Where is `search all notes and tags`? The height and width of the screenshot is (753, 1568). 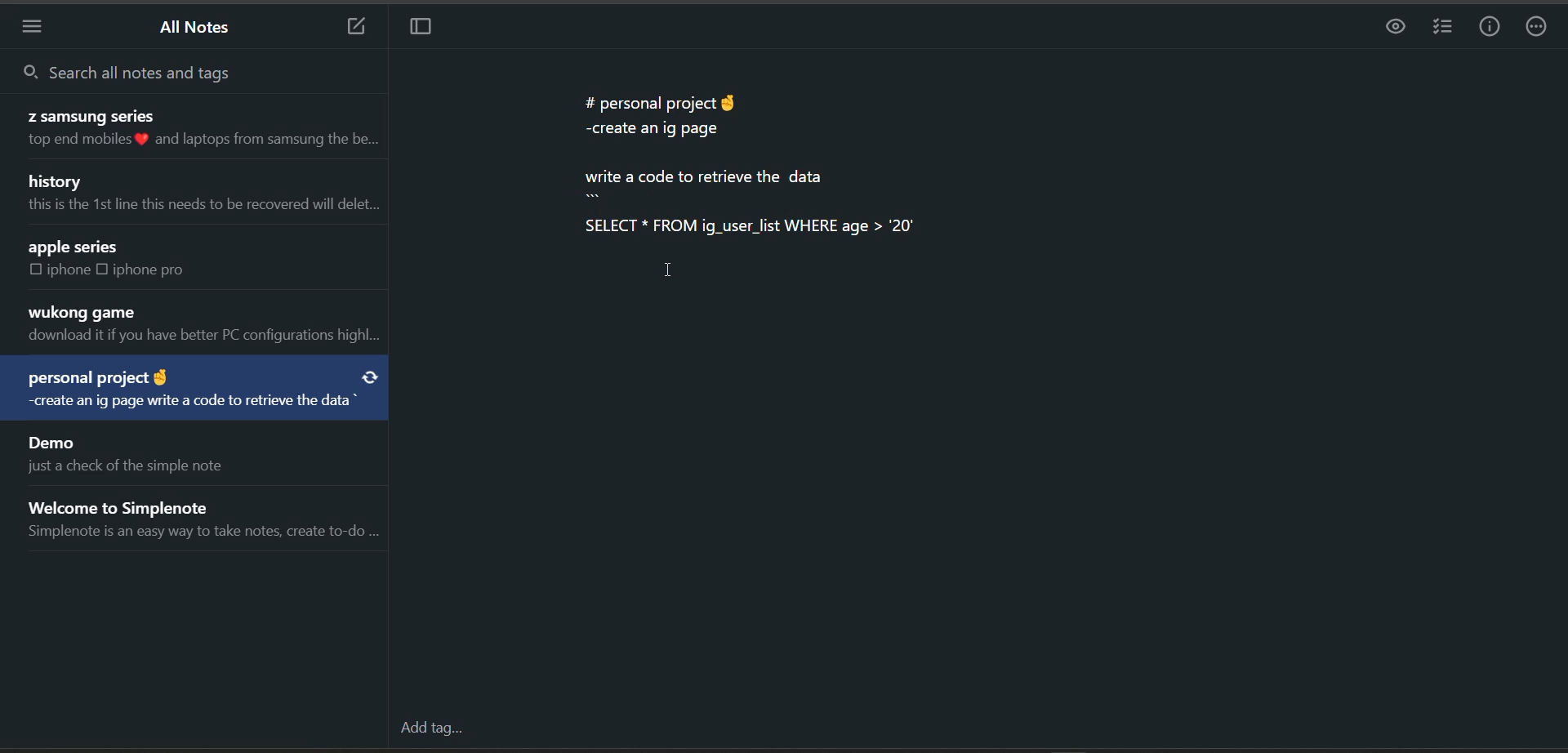
search all notes and tags is located at coordinates (171, 70).